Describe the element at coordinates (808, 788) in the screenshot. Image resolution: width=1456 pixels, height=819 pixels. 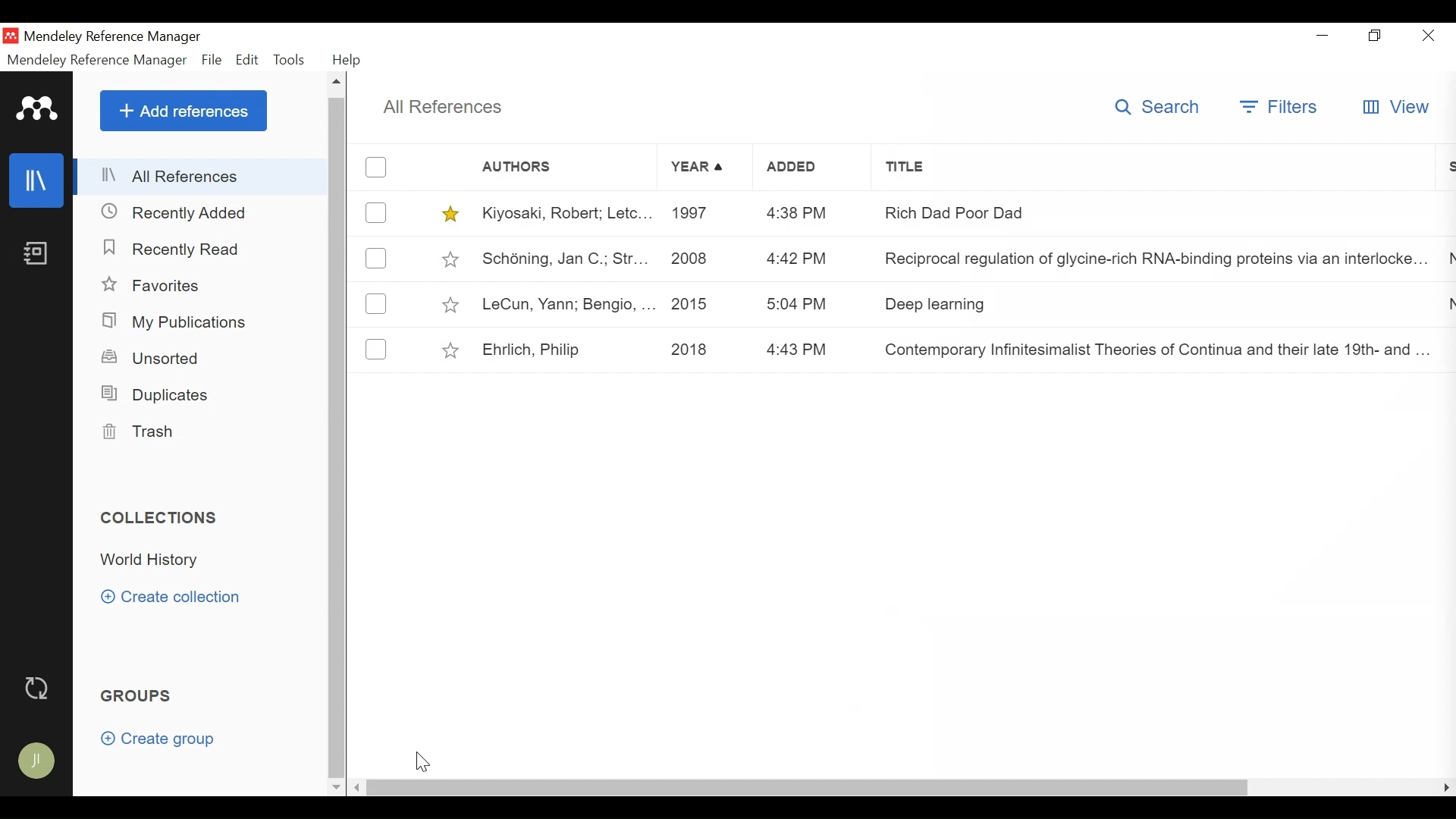
I see `Horizontal Scroll bar` at that location.